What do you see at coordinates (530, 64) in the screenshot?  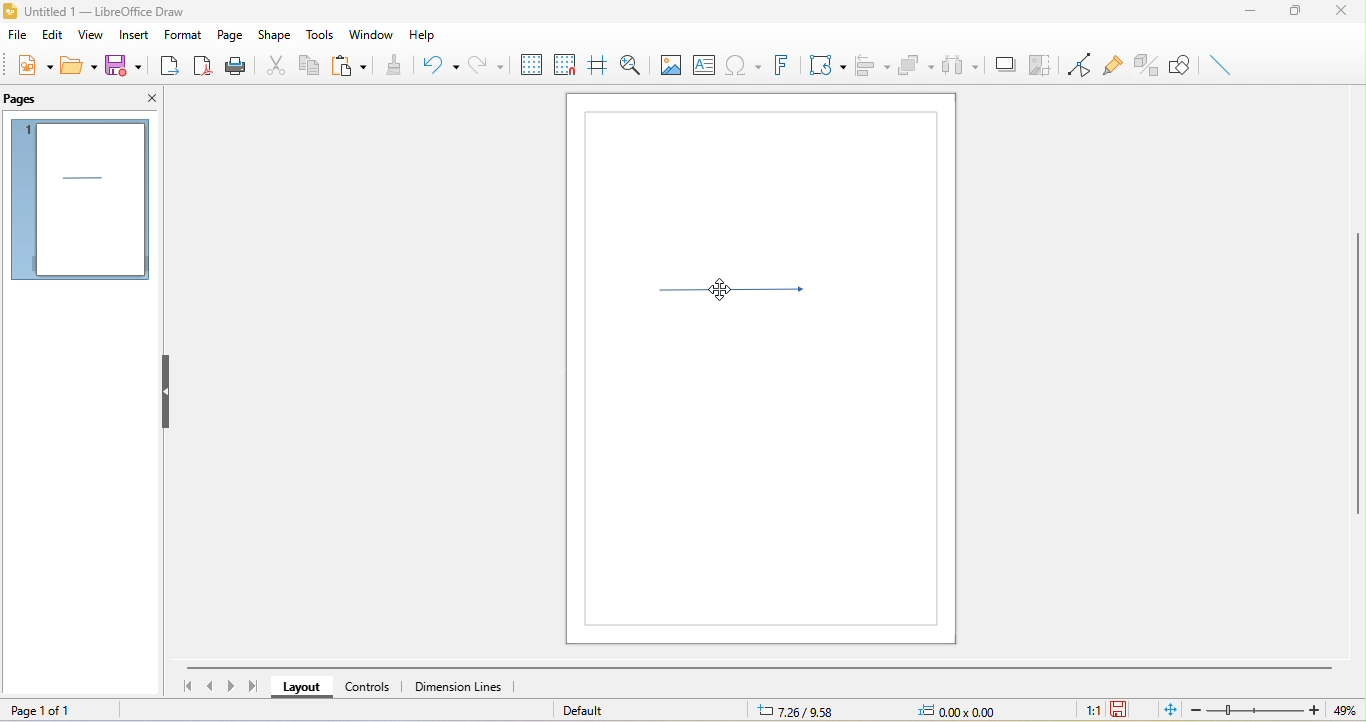 I see `display to grids` at bounding box center [530, 64].